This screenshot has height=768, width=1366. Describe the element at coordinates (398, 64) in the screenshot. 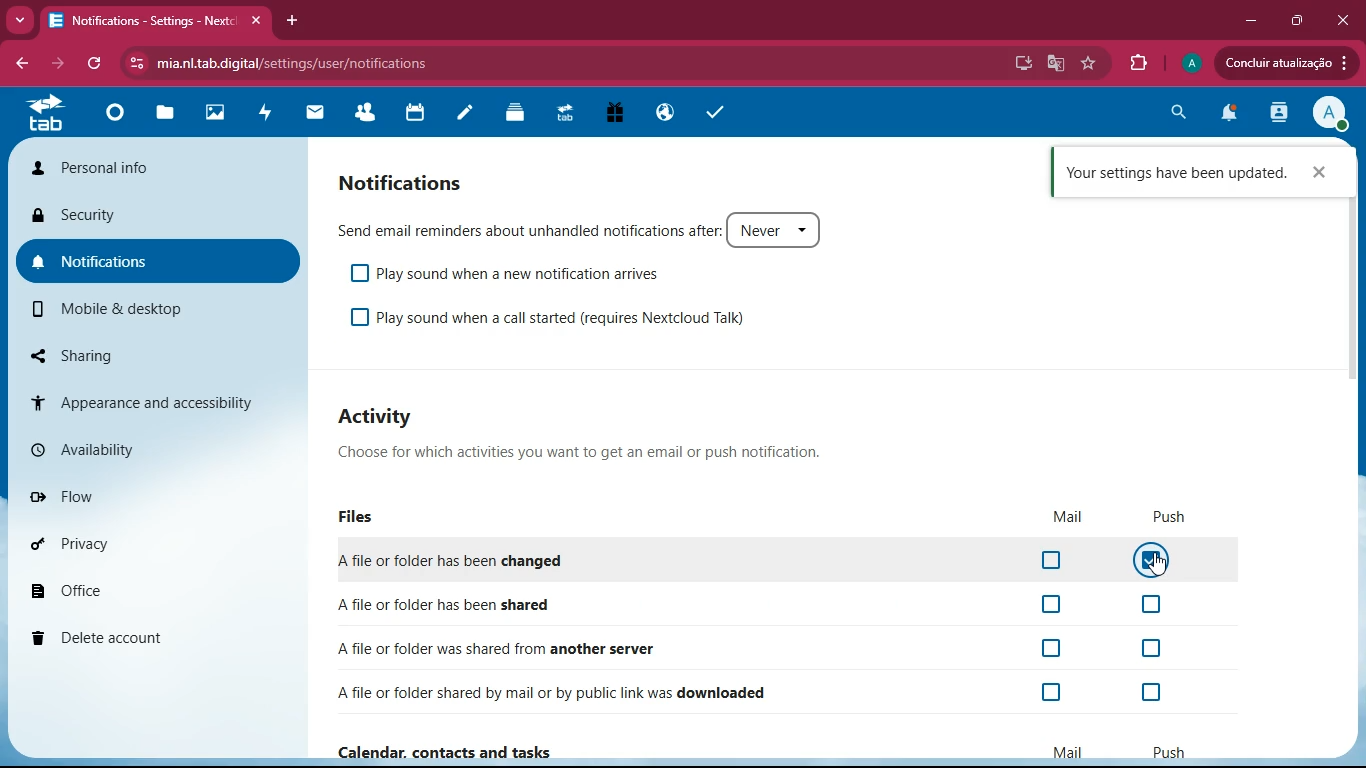

I see `url` at that location.